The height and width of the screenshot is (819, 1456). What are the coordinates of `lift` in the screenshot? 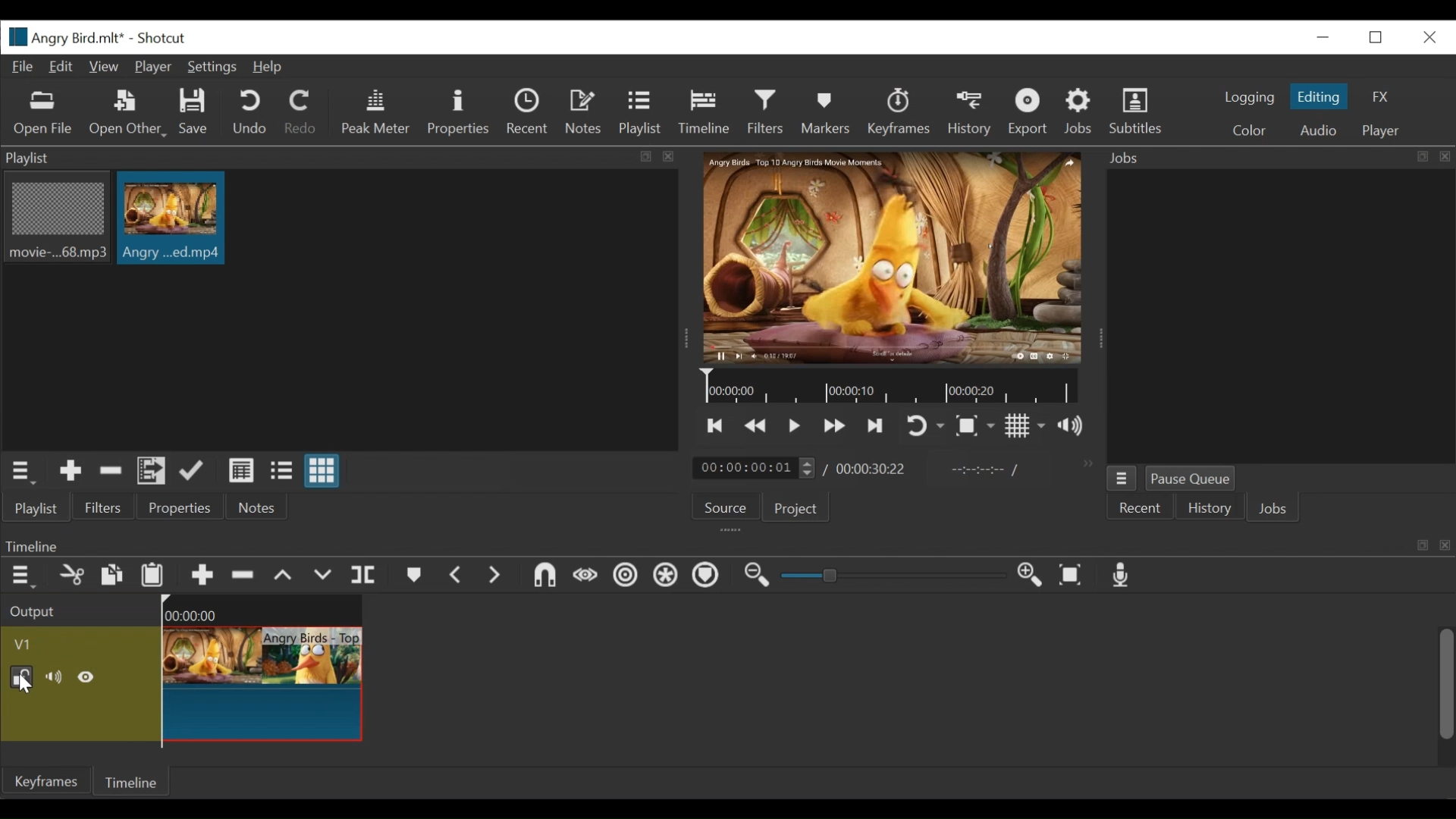 It's located at (284, 576).